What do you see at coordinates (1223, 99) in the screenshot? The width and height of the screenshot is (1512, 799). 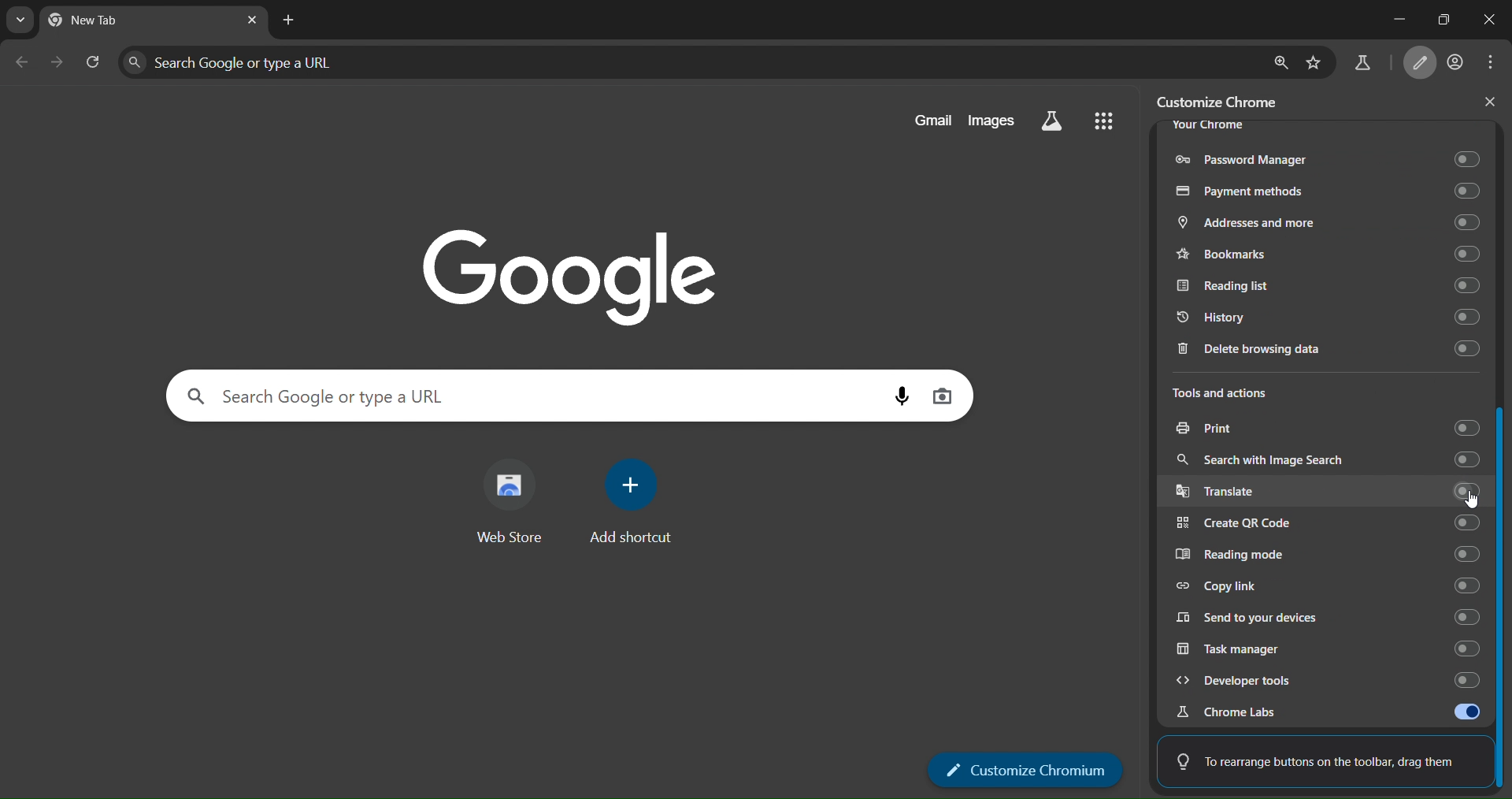 I see `customize chrome` at bounding box center [1223, 99].